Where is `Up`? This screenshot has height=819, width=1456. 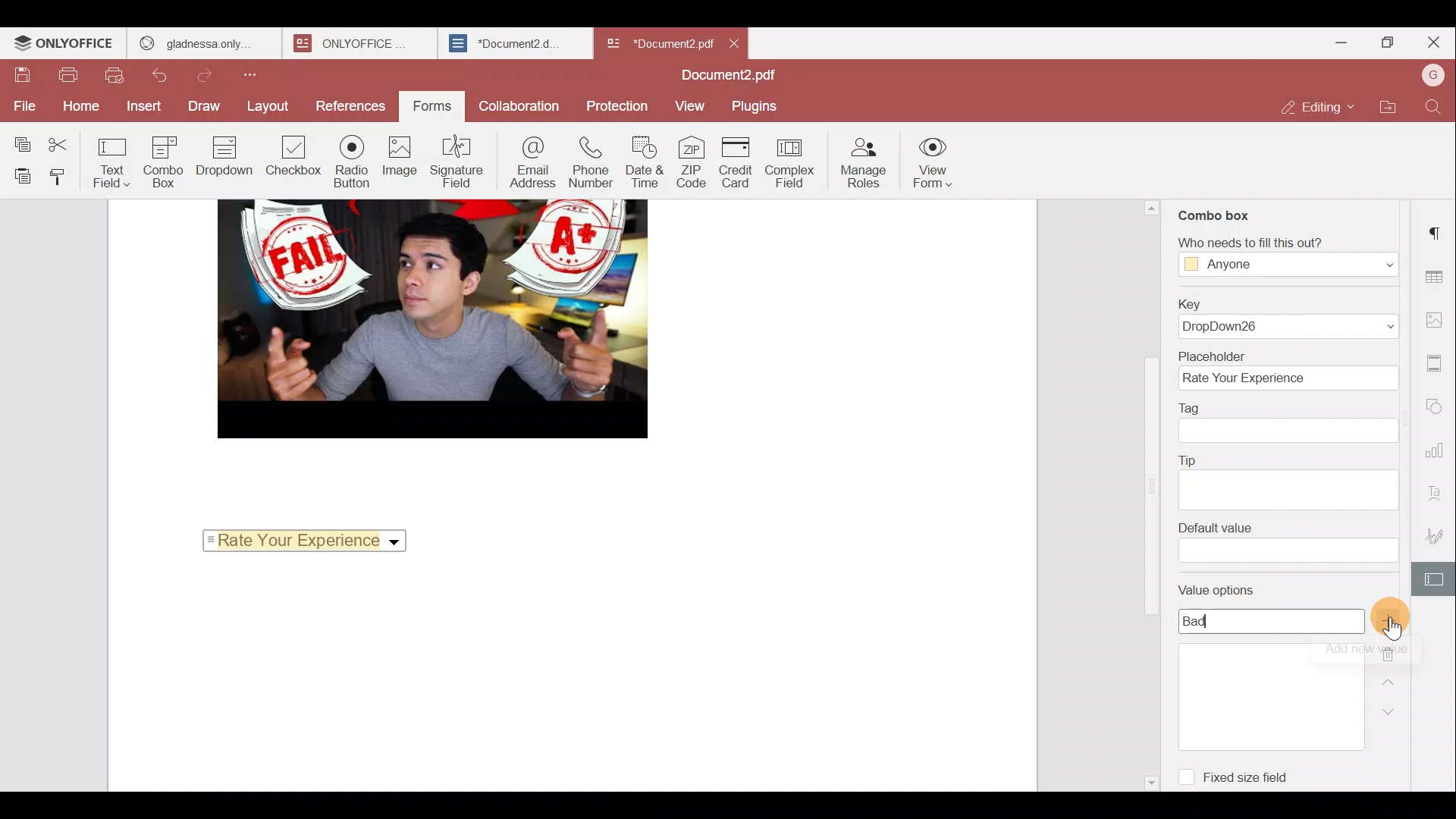 Up is located at coordinates (1389, 687).